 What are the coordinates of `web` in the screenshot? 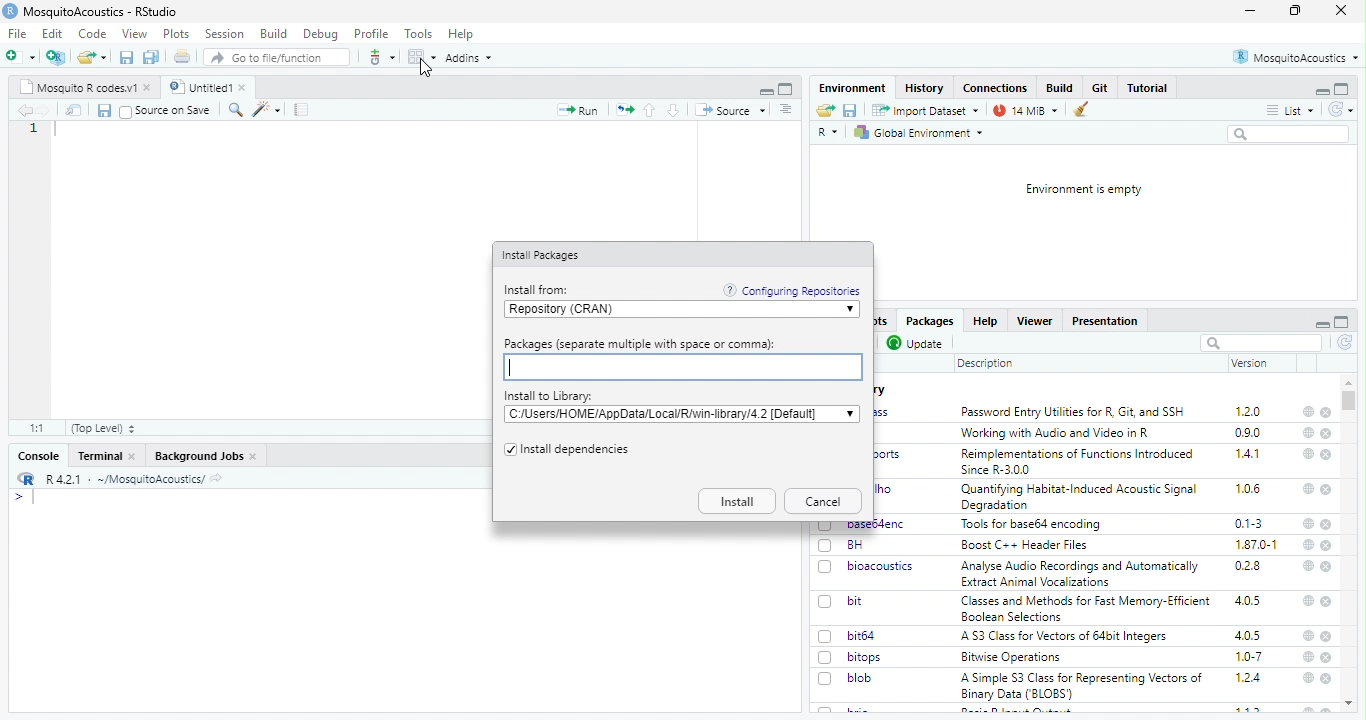 It's located at (1309, 524).